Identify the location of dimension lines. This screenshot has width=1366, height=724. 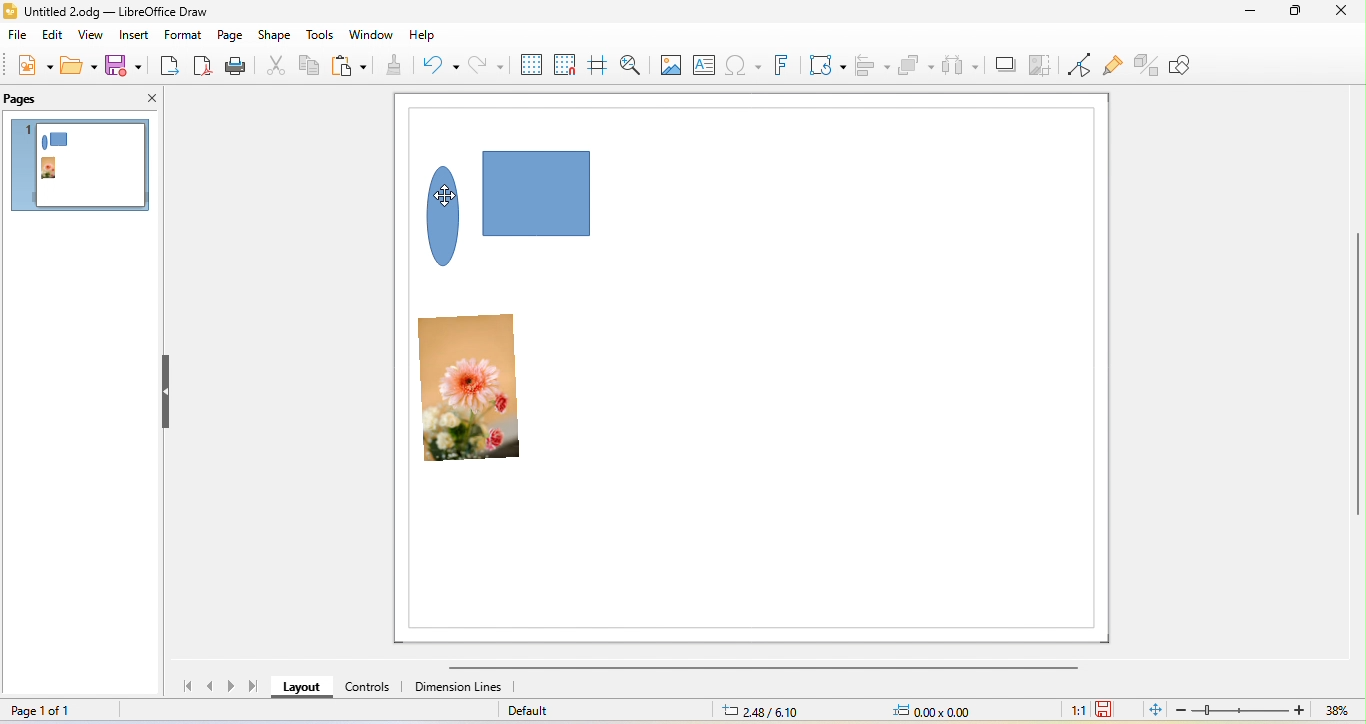
(460, 689).